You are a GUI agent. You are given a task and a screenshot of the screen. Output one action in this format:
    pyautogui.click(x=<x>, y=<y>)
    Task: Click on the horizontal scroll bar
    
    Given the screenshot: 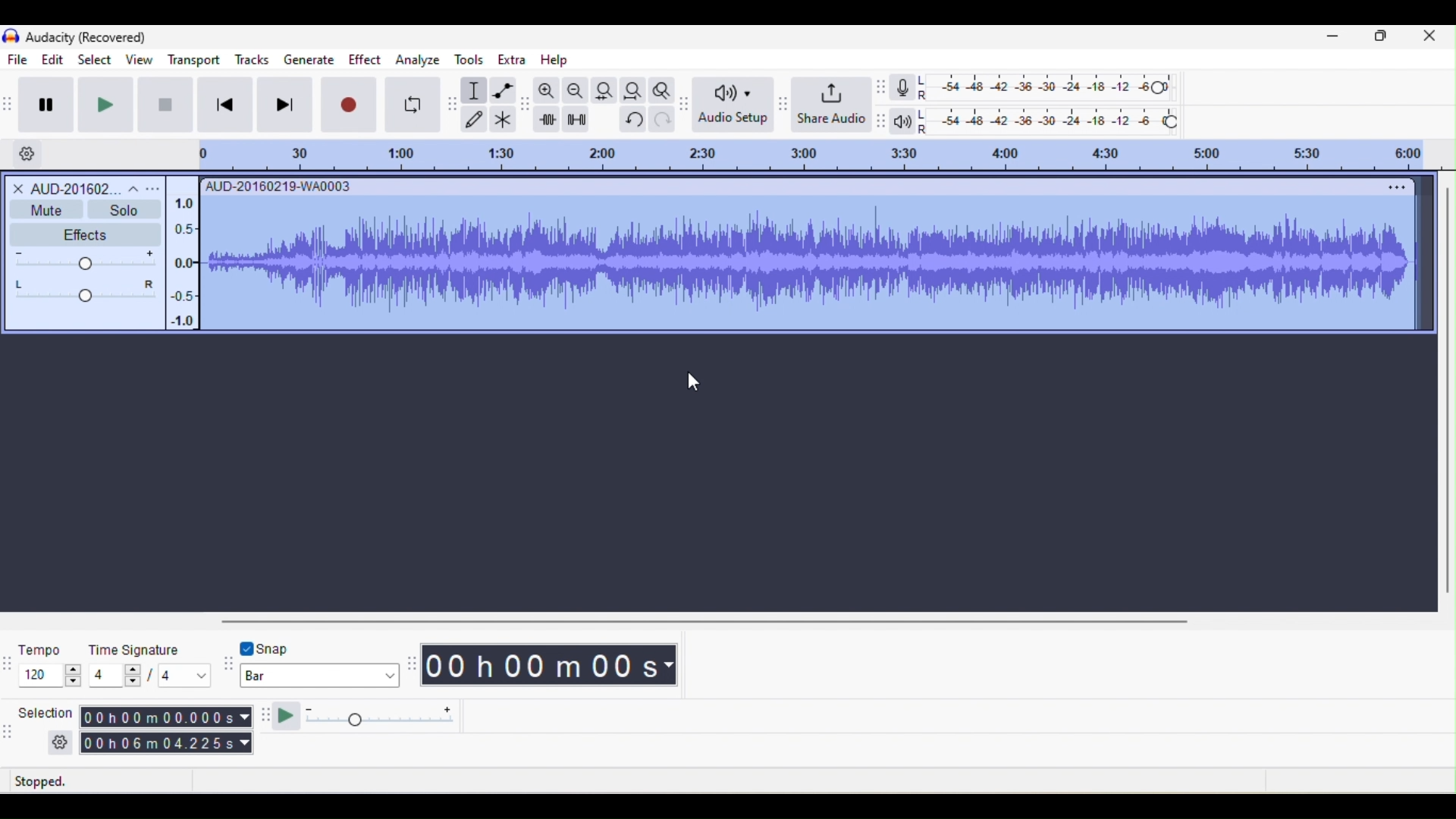 What is the action you would take?
    pyautogui.click(x=720, y=620)
    